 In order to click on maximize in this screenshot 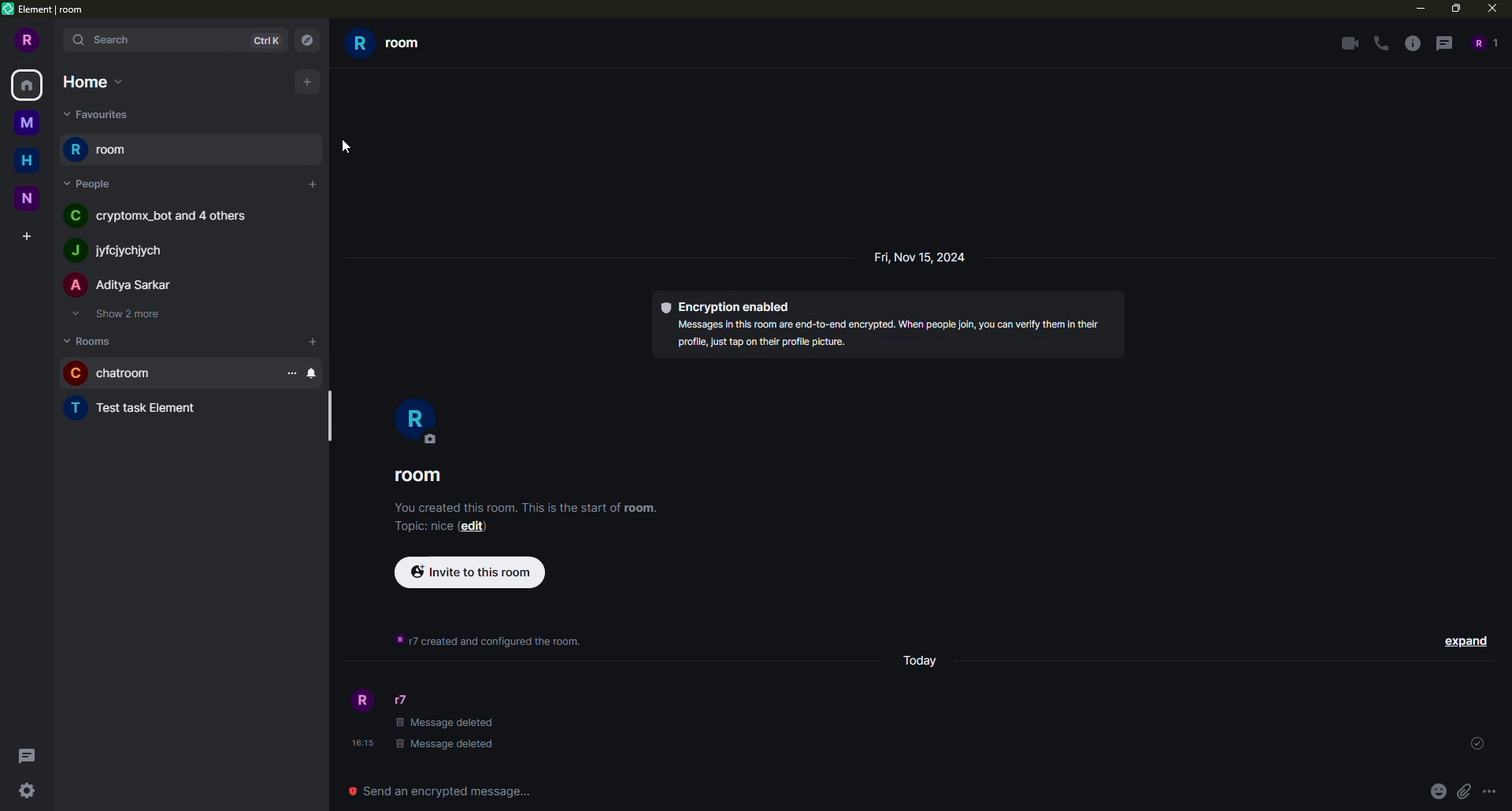, I will do `click(1458, 9)`.